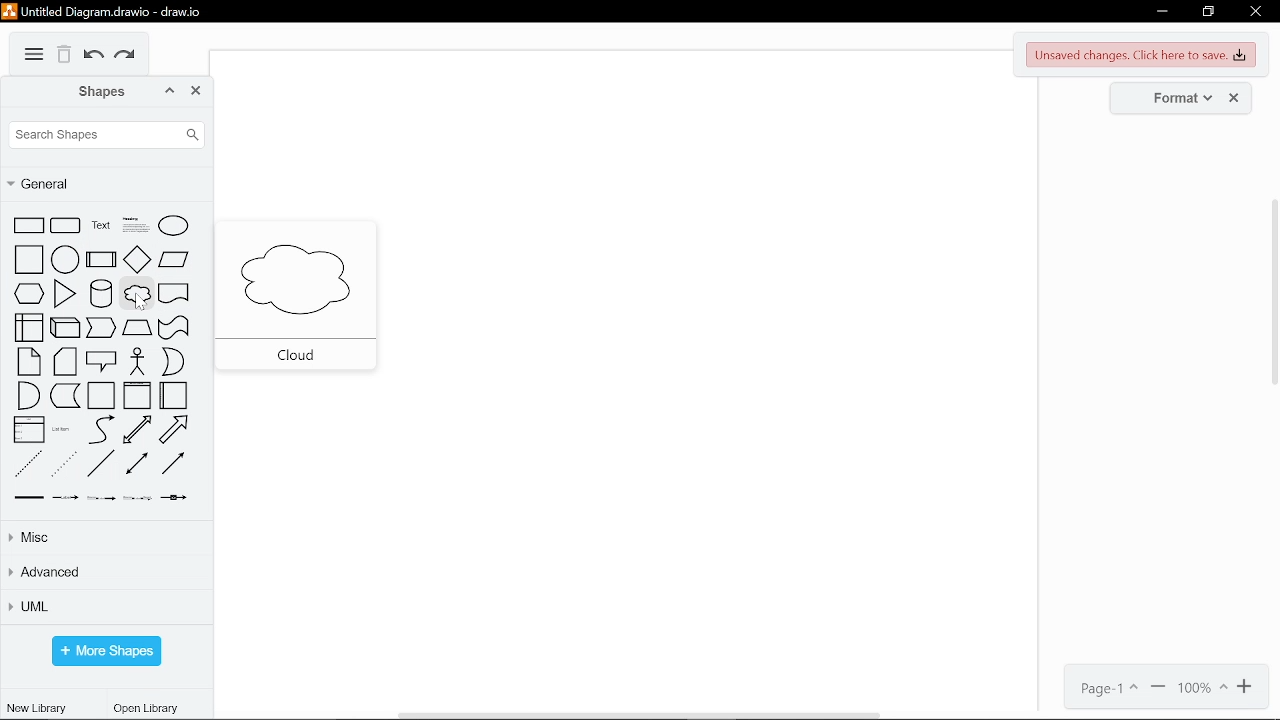  What do you see at coordinates (174, 497) in the screenshot?
I see `connector with symbol` at bounding box center [174, 497].